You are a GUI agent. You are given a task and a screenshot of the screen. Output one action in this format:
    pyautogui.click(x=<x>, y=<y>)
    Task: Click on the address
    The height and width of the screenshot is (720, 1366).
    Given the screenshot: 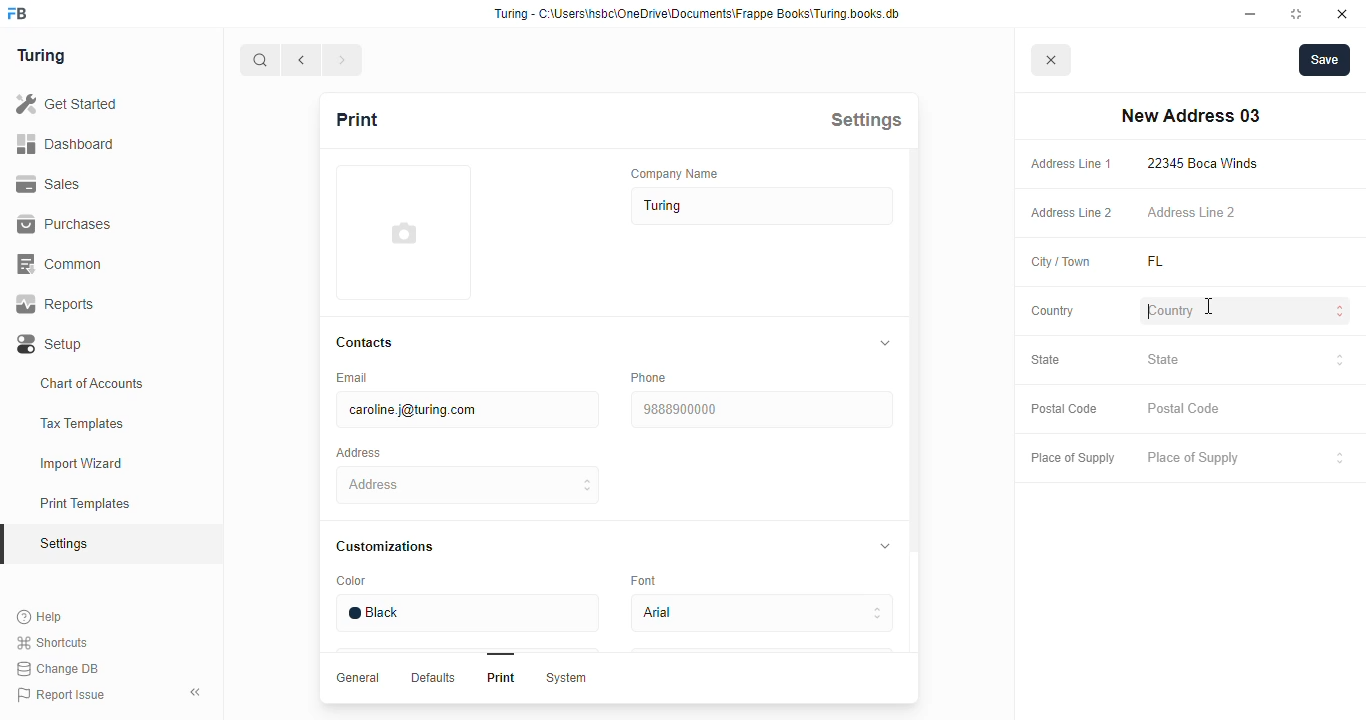 What is the action you would take?
    pyautogui.click(x=469, y=485)
    